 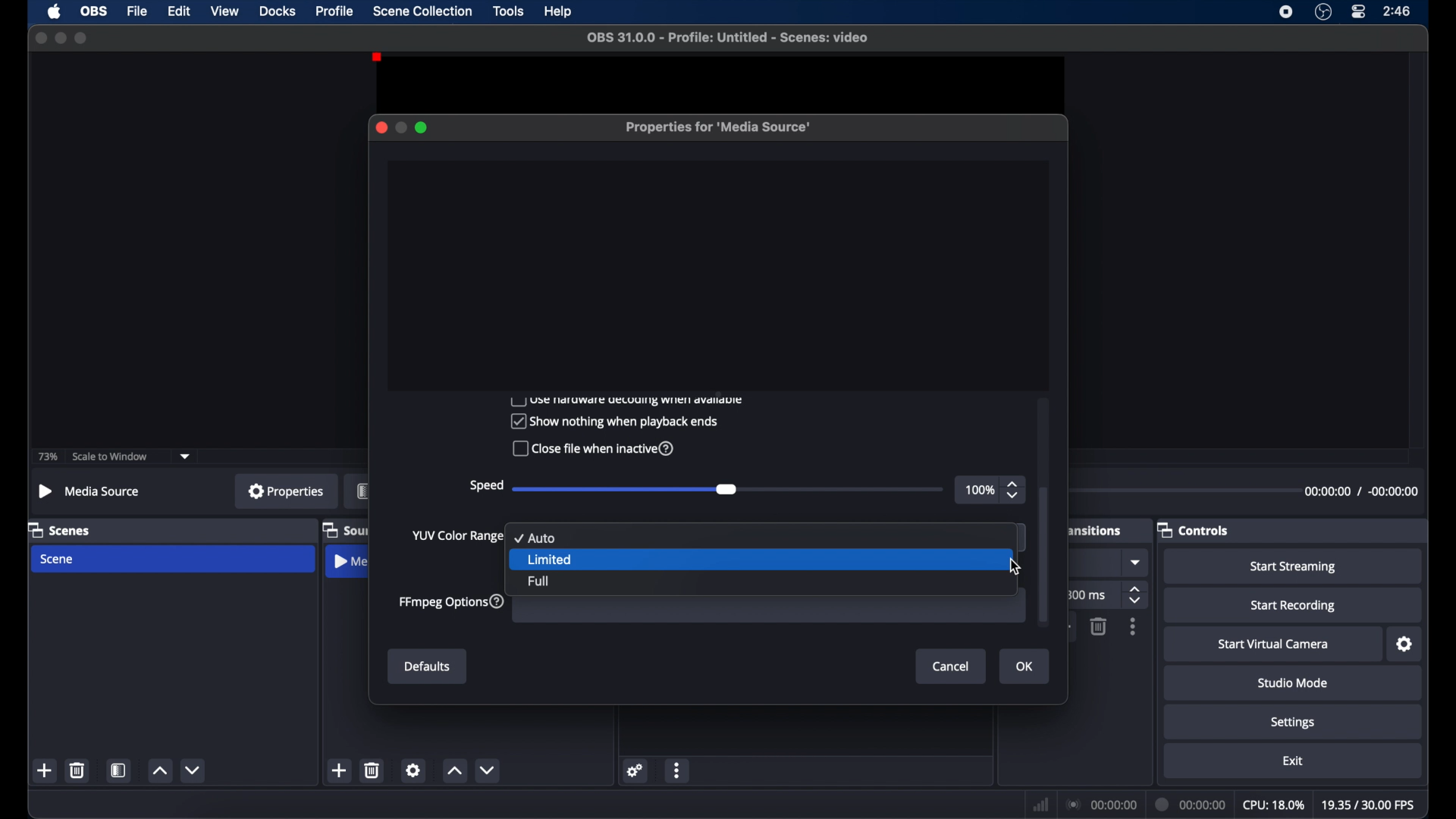 What do you see at coordinates (286, 491) in the screenshot?
I see `properties` at bounding box center [286, 491].